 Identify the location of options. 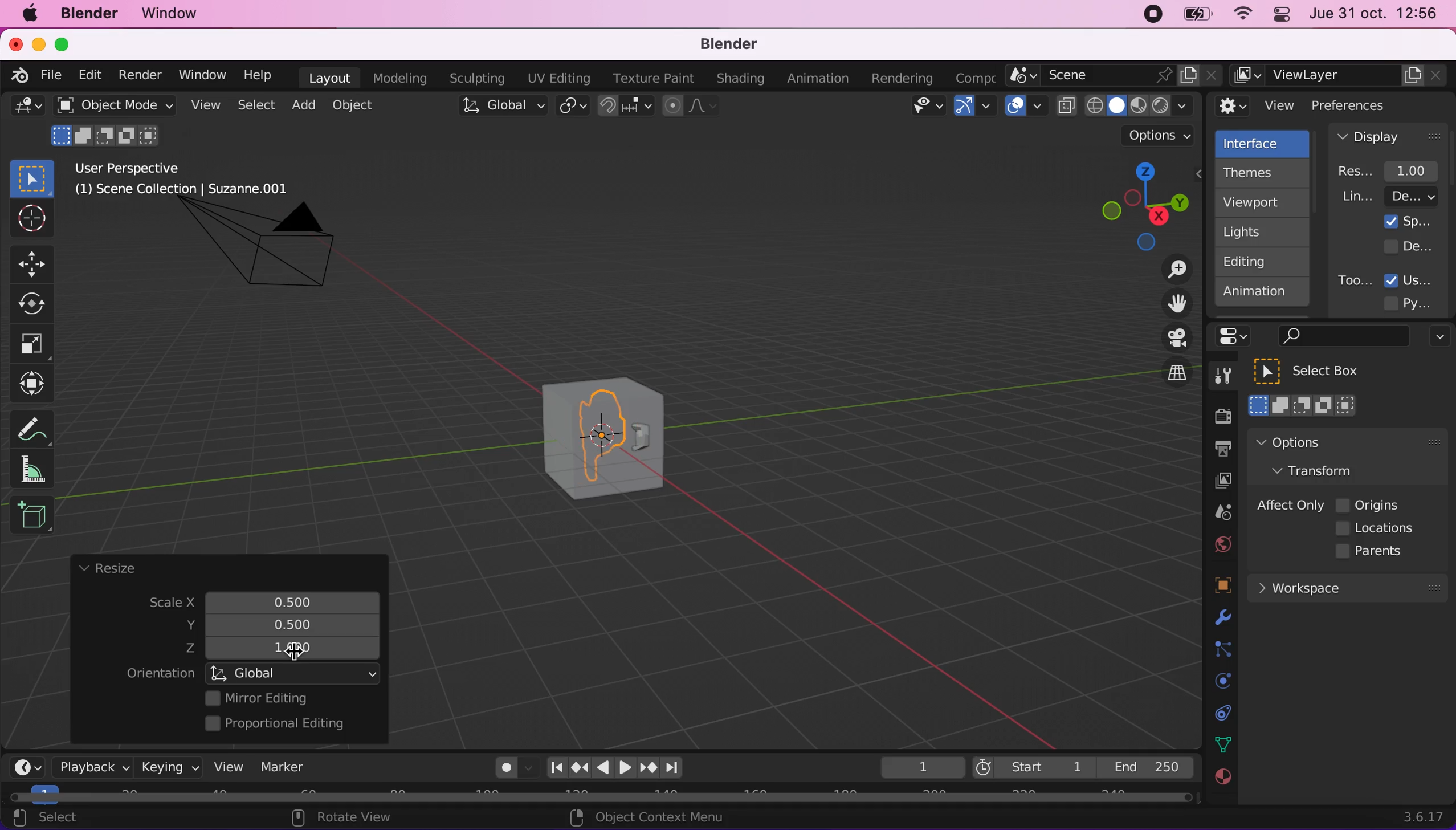
(1320, 442).